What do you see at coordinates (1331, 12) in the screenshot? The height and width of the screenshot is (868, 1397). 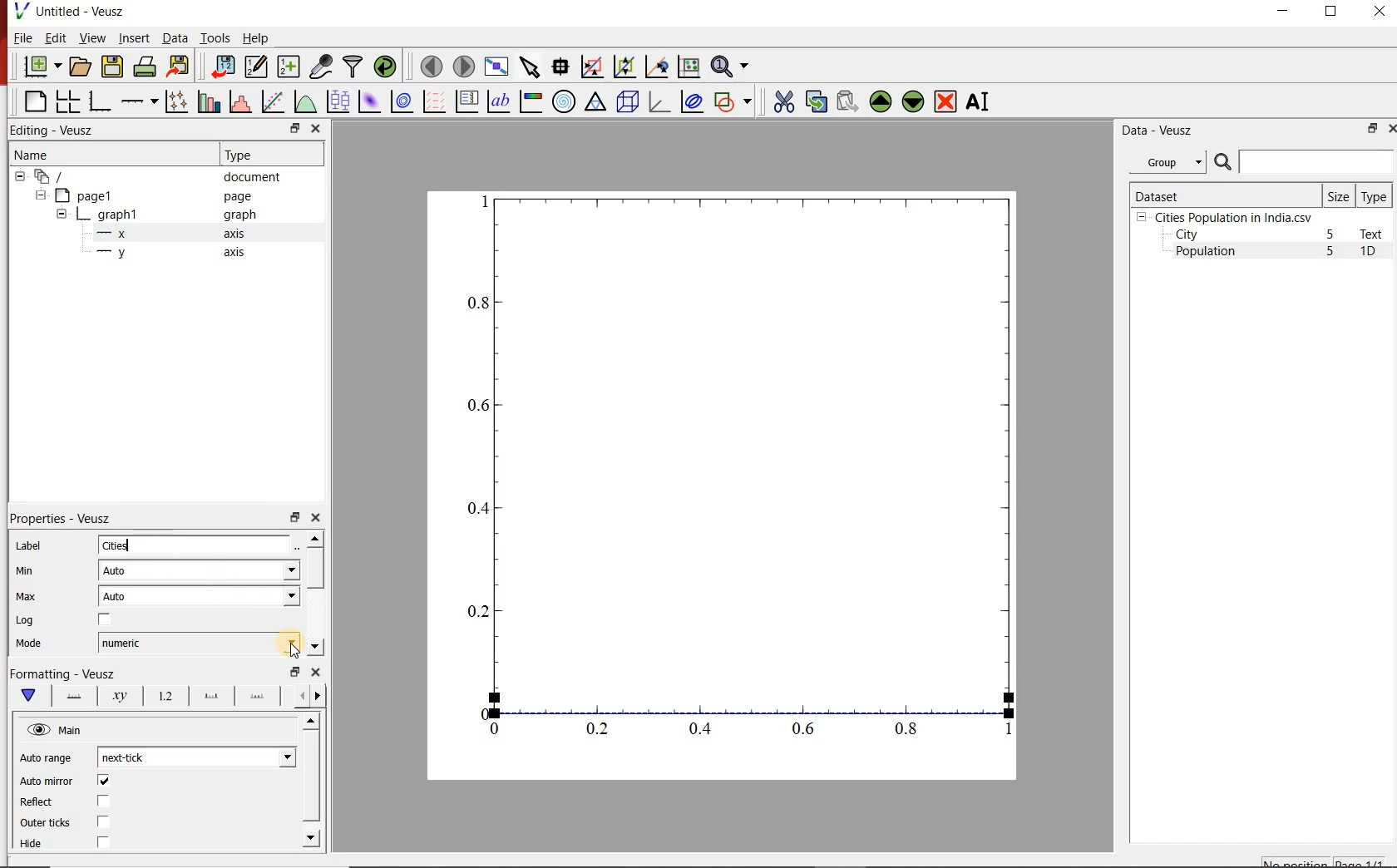 I see `RESTORE` at bounding box center [1331, 12].